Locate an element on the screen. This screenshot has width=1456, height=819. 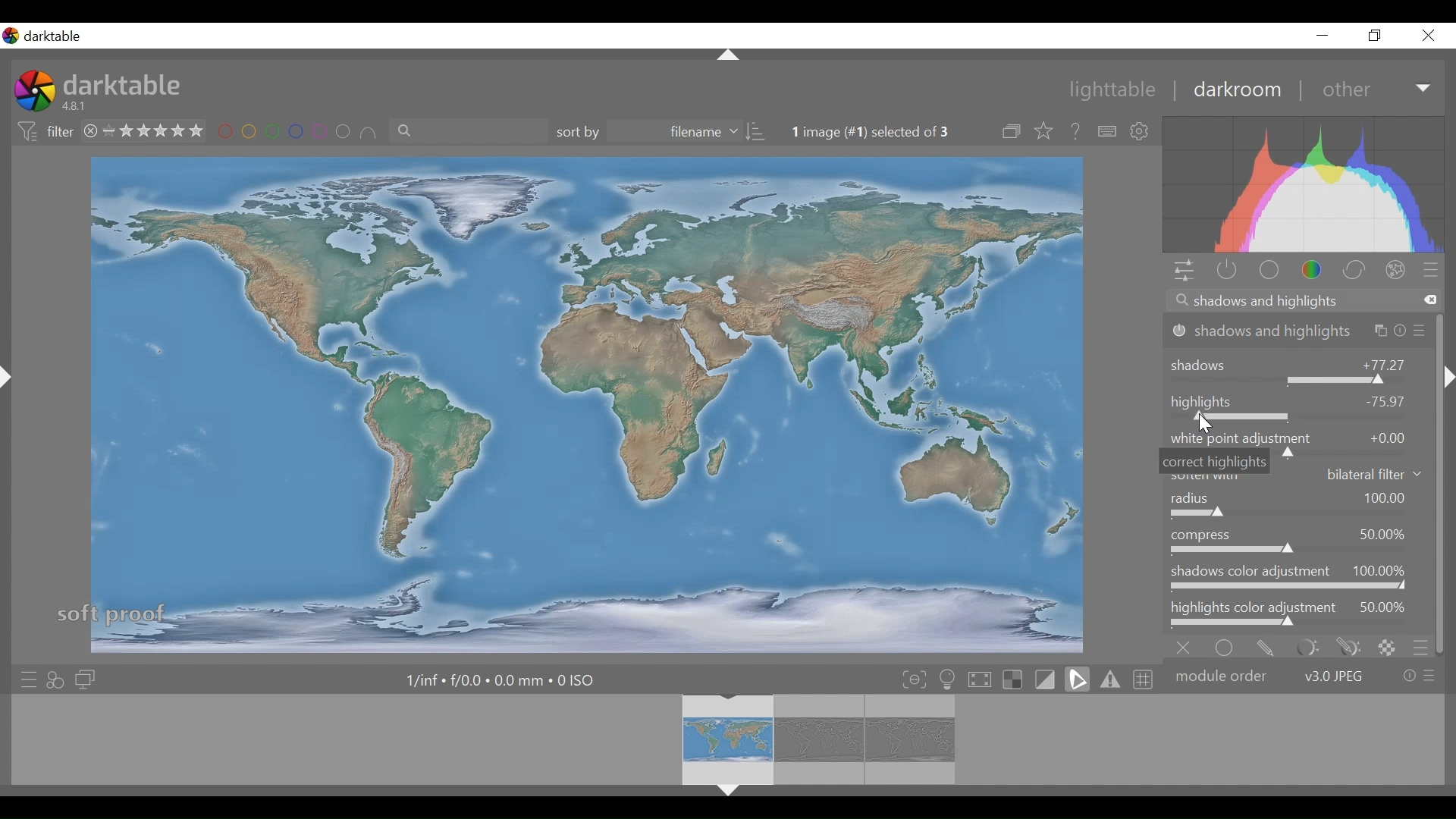
 is located at coordinates (1447, 381).